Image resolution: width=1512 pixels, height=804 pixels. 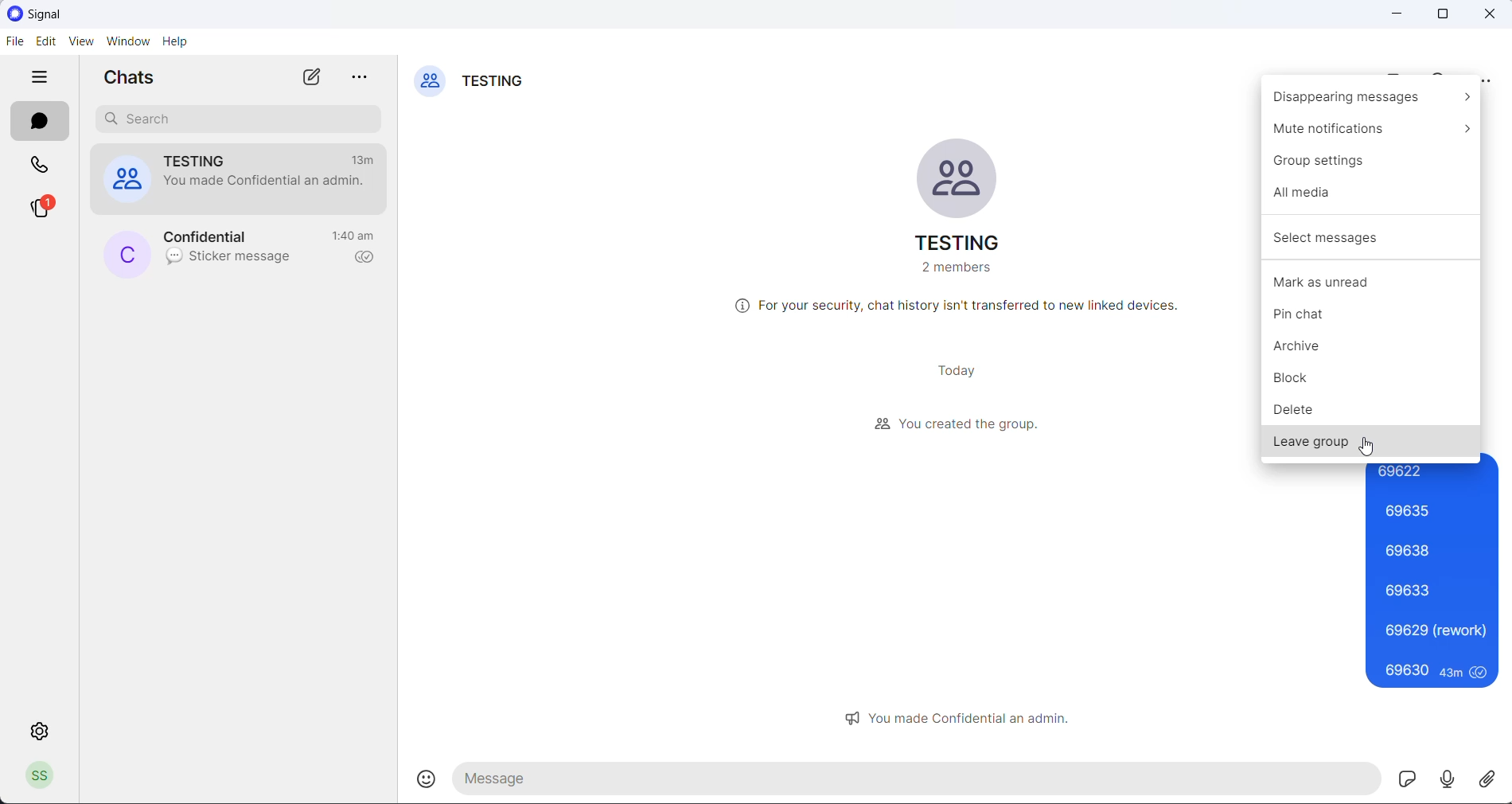 I want to click on group cover photo, so click(x=125, y=181).